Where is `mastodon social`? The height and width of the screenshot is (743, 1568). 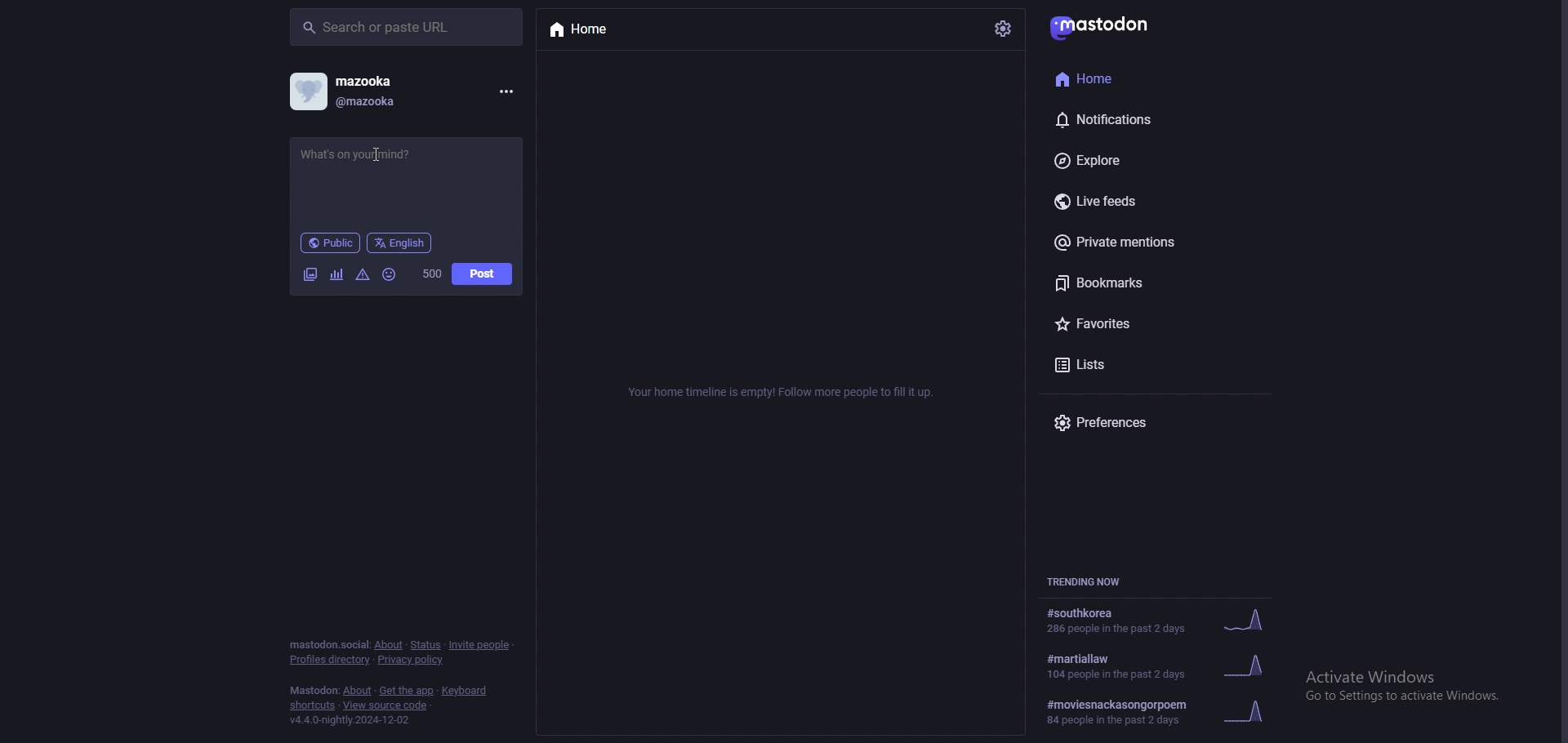 mastodon social is located at coordinates (326, 644).